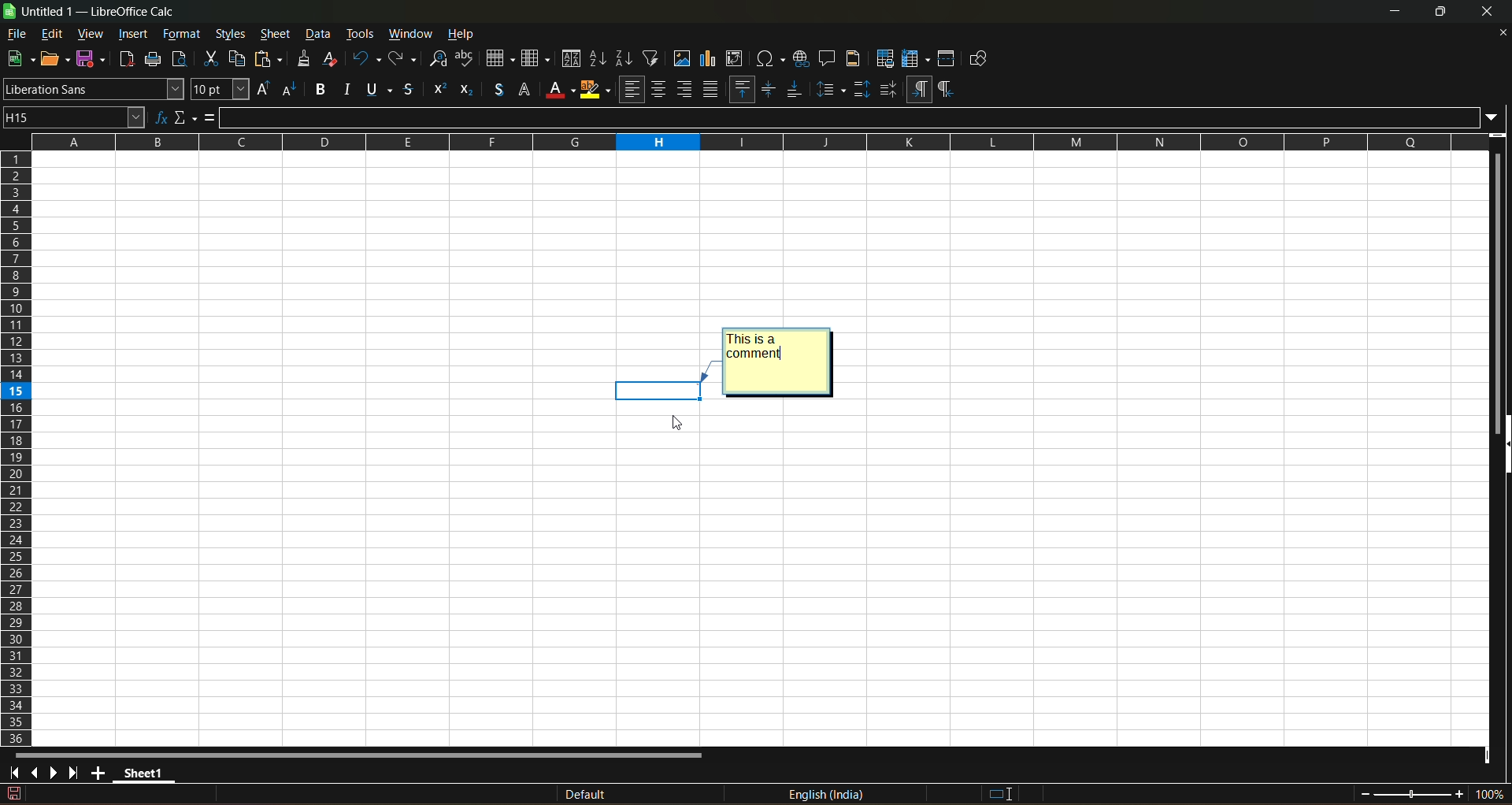 This screenshot has height=805, width=1512. Describe the element at coordinates (748, 149) in the screenshot. I see `rows` at that location.